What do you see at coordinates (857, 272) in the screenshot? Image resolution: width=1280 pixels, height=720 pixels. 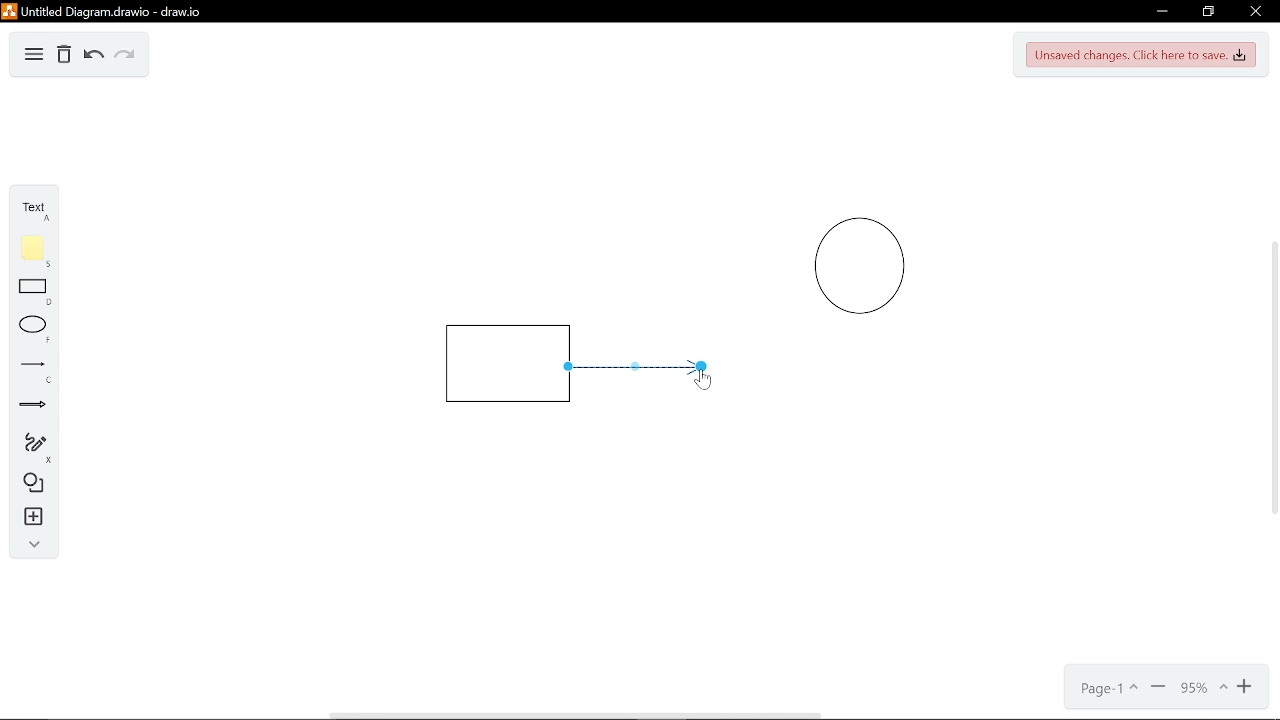 I see `Circle` at bounding box center [857, 272].